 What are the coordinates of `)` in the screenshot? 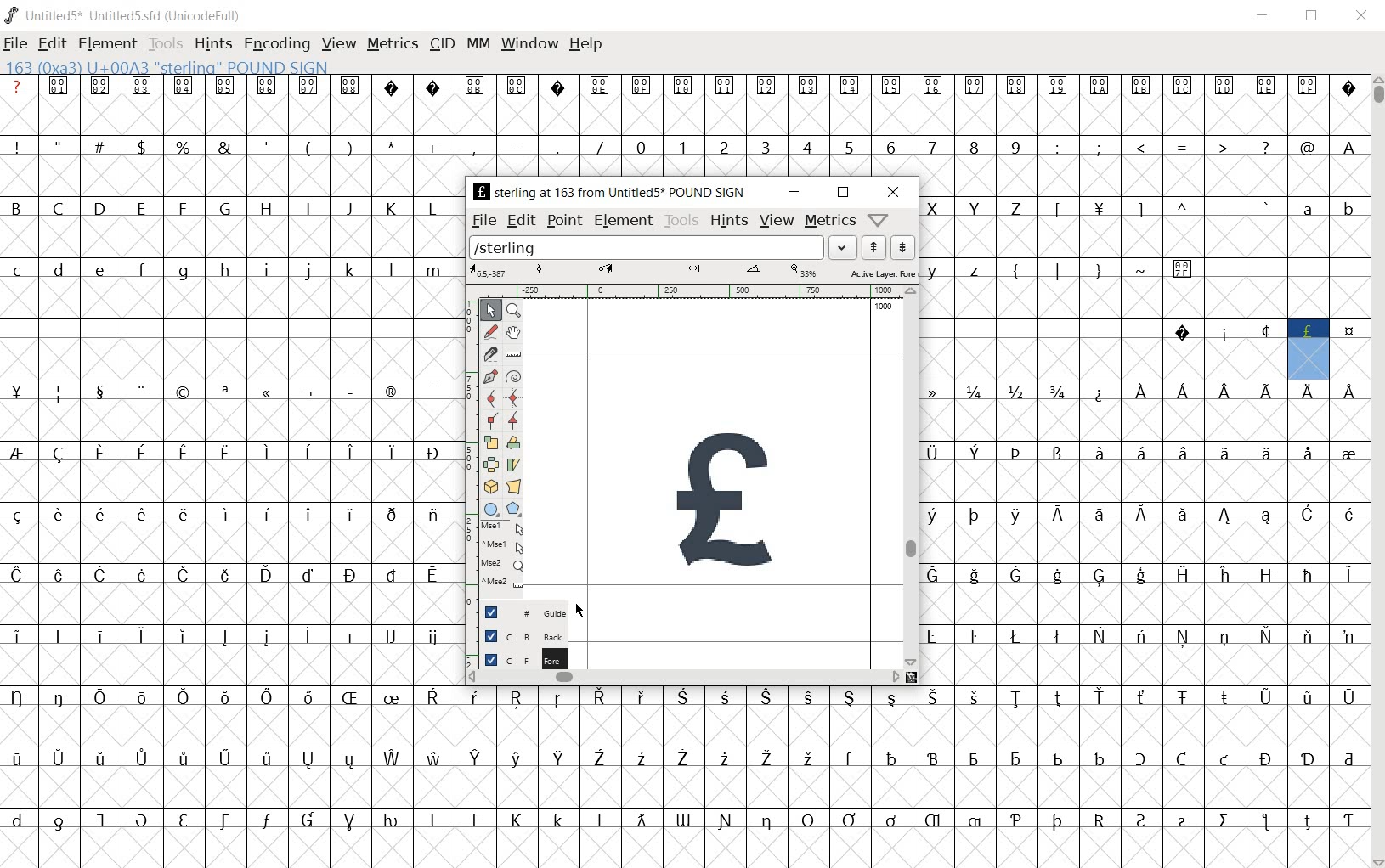 It's located at (352, 146).